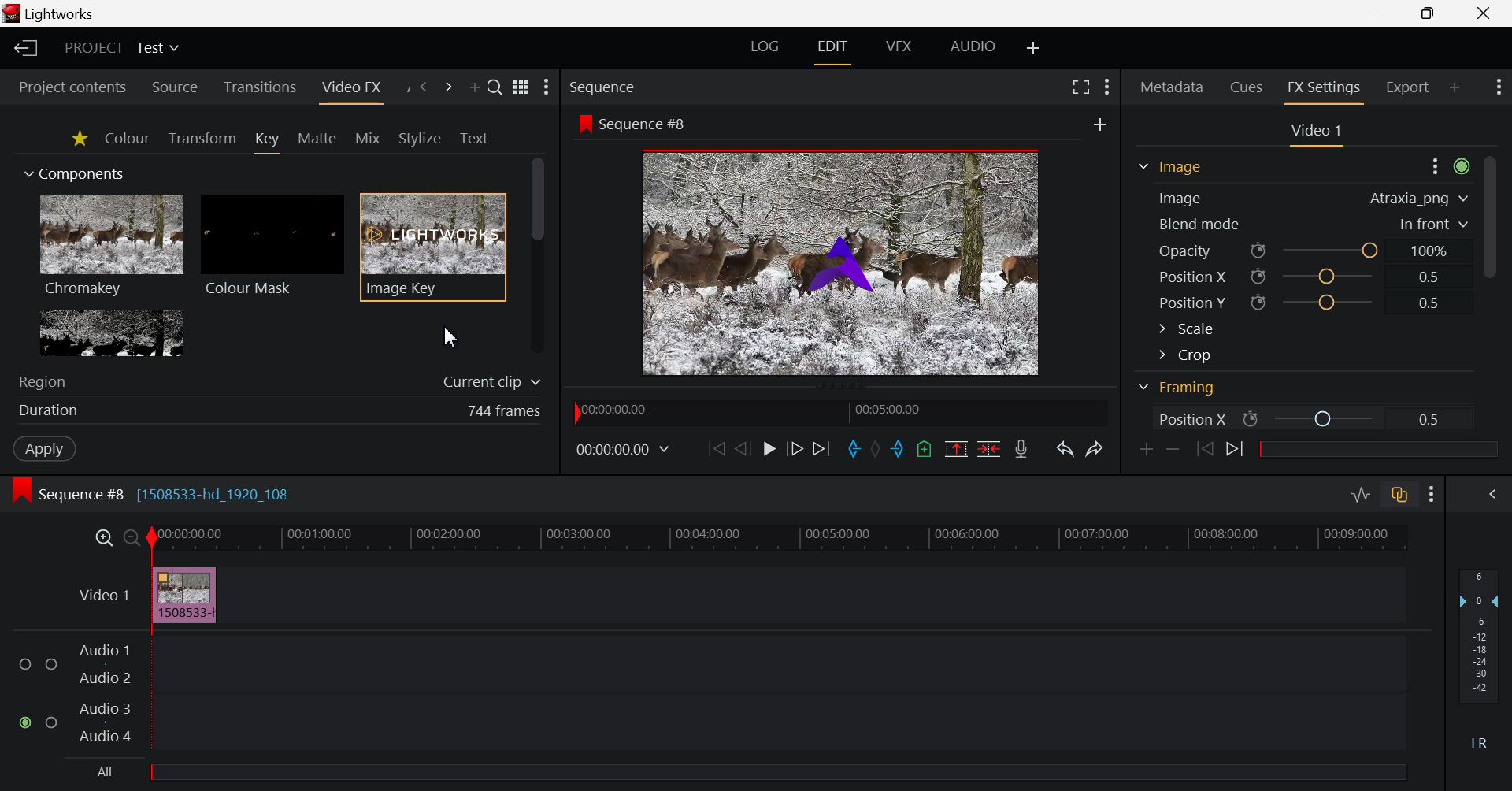 The height and width of the screenshot is (791, 1512). I want to click on Add Panel, so click(1455, 87).